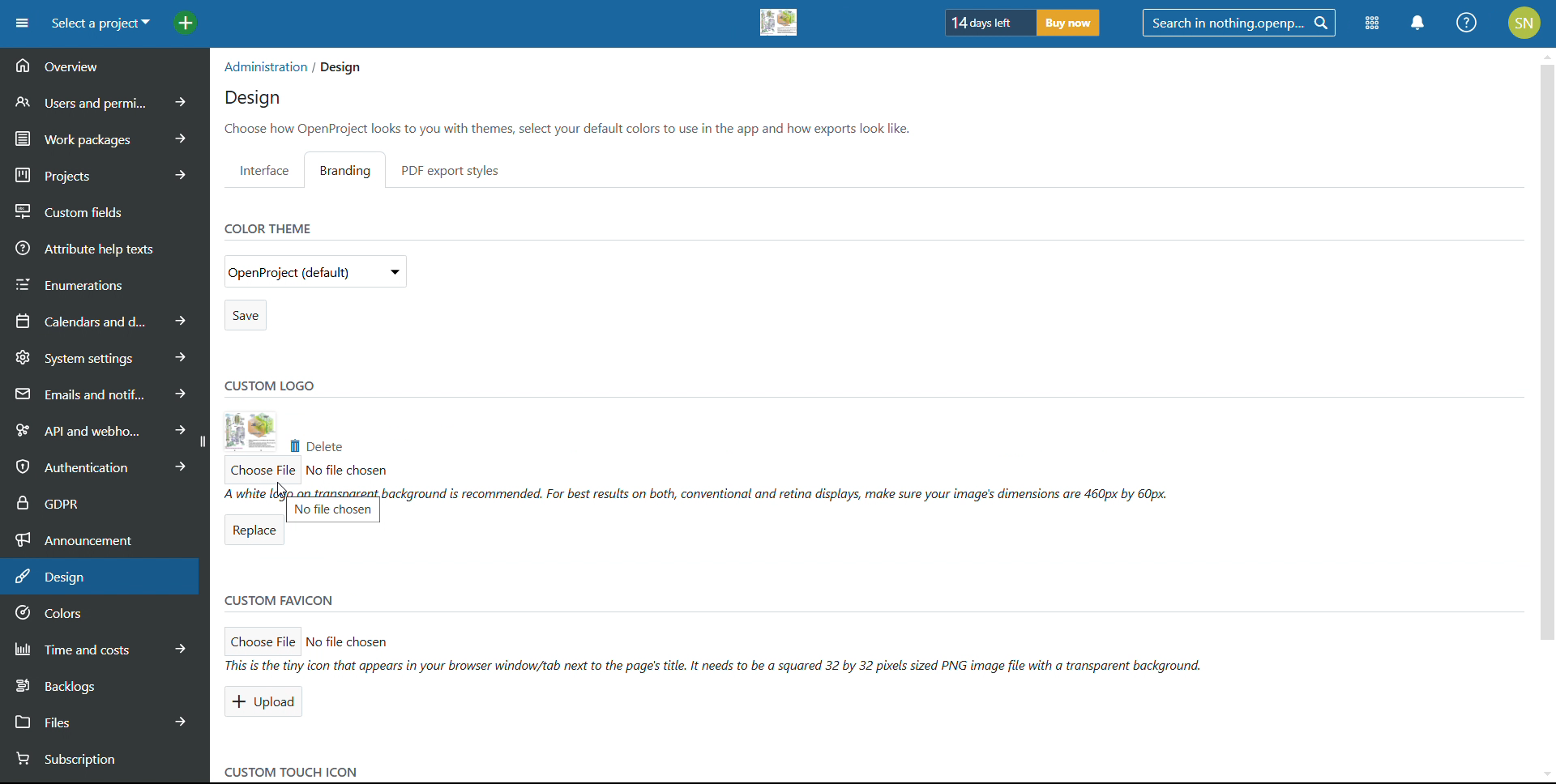 The width and height of the screenshot is (1556, 784). What do you see at coordinates (350, 170) in the screenshot?
I see `branding setting selected` at bounding box center [350, 170].